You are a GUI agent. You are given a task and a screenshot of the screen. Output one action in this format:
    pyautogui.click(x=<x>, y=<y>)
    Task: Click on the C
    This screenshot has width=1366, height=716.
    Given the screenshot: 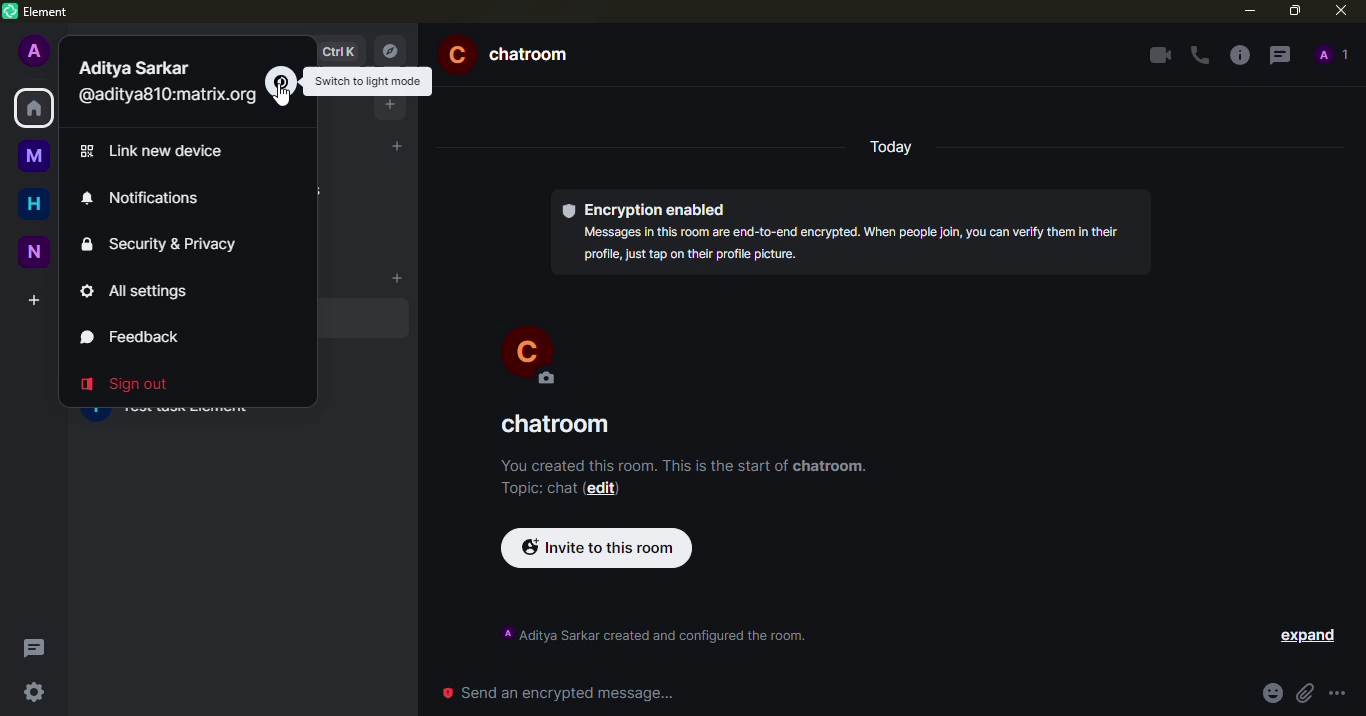 What is the action you would take?
    pyautogui.click(x=540, y=356)
    